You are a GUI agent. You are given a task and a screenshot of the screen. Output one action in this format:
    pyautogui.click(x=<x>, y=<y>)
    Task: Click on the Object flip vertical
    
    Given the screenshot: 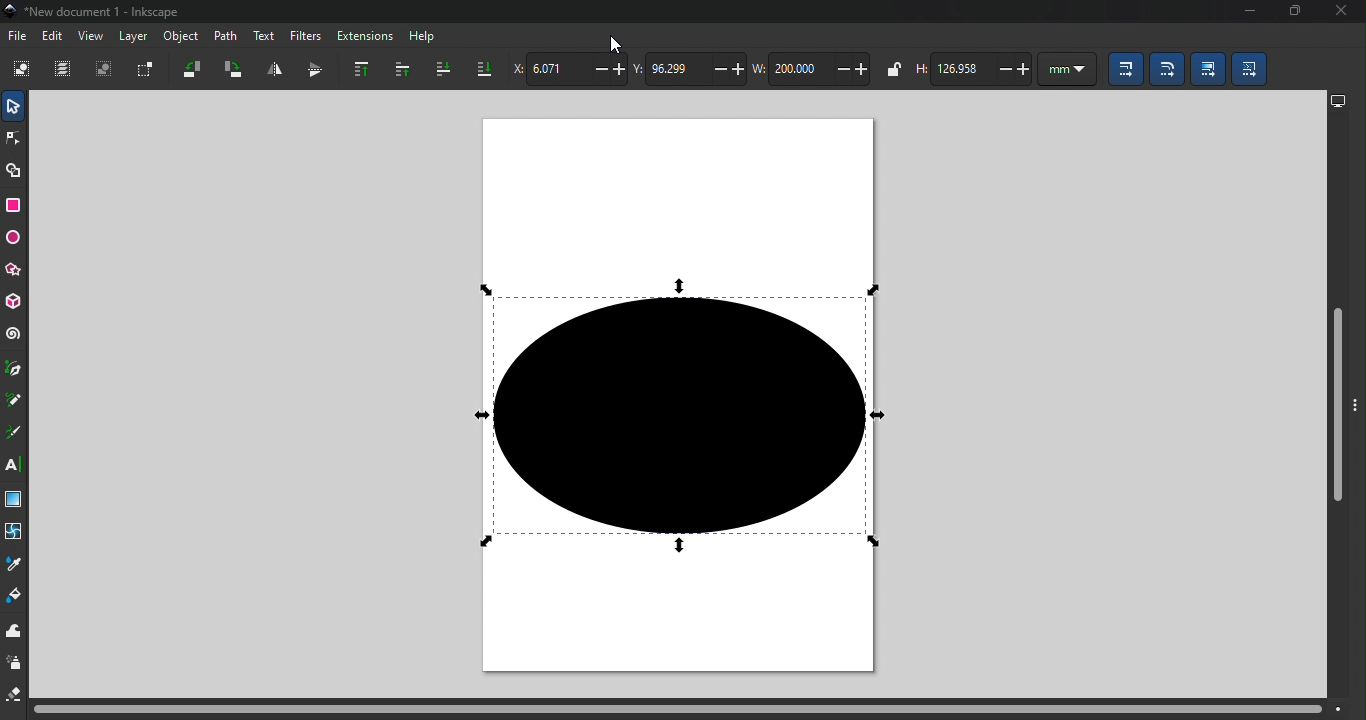 What is the action you would take?
    pyautogui.click(x=313, y=71)
    